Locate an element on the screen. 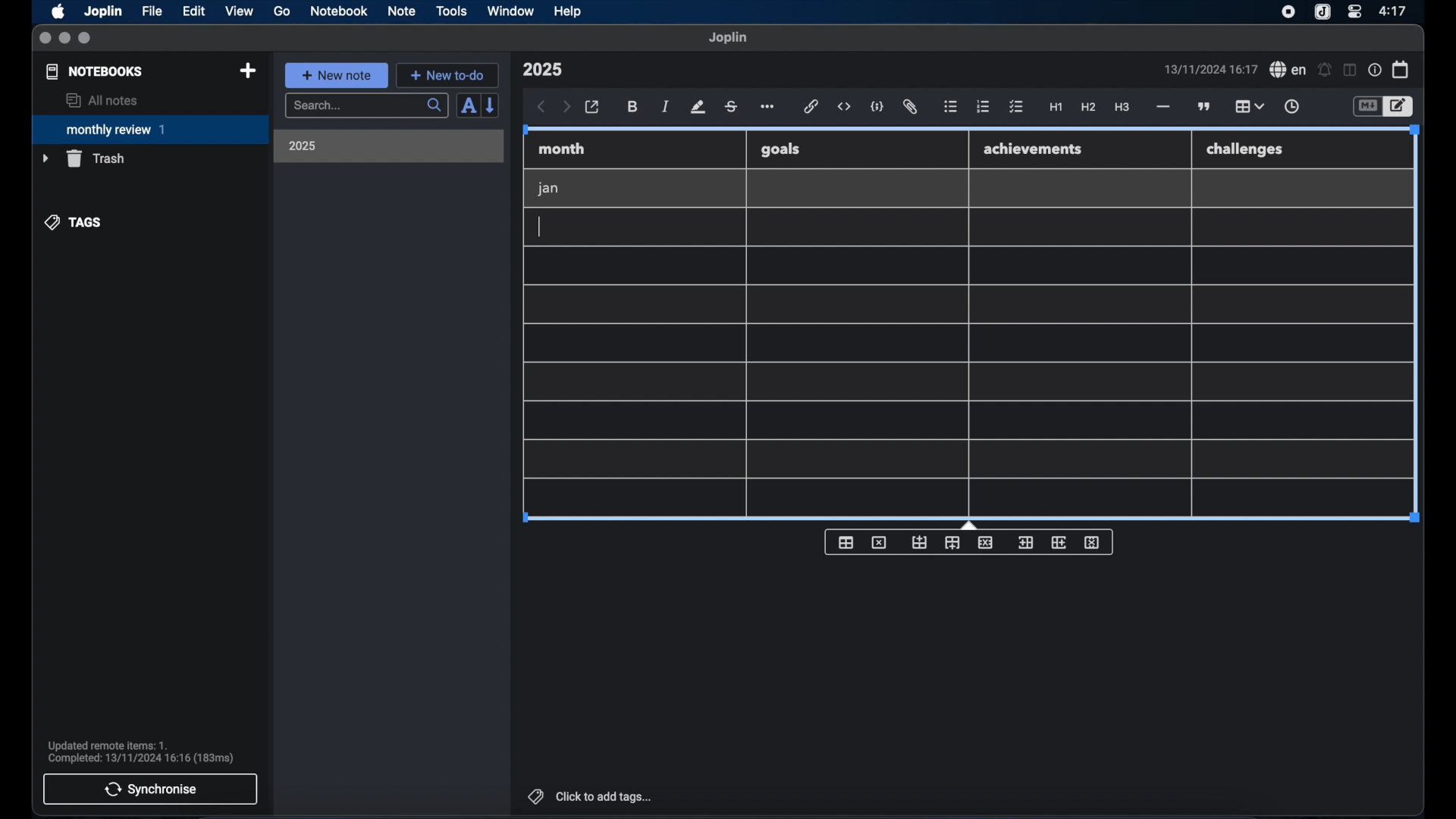  new note is located at coordinates (336, 75).